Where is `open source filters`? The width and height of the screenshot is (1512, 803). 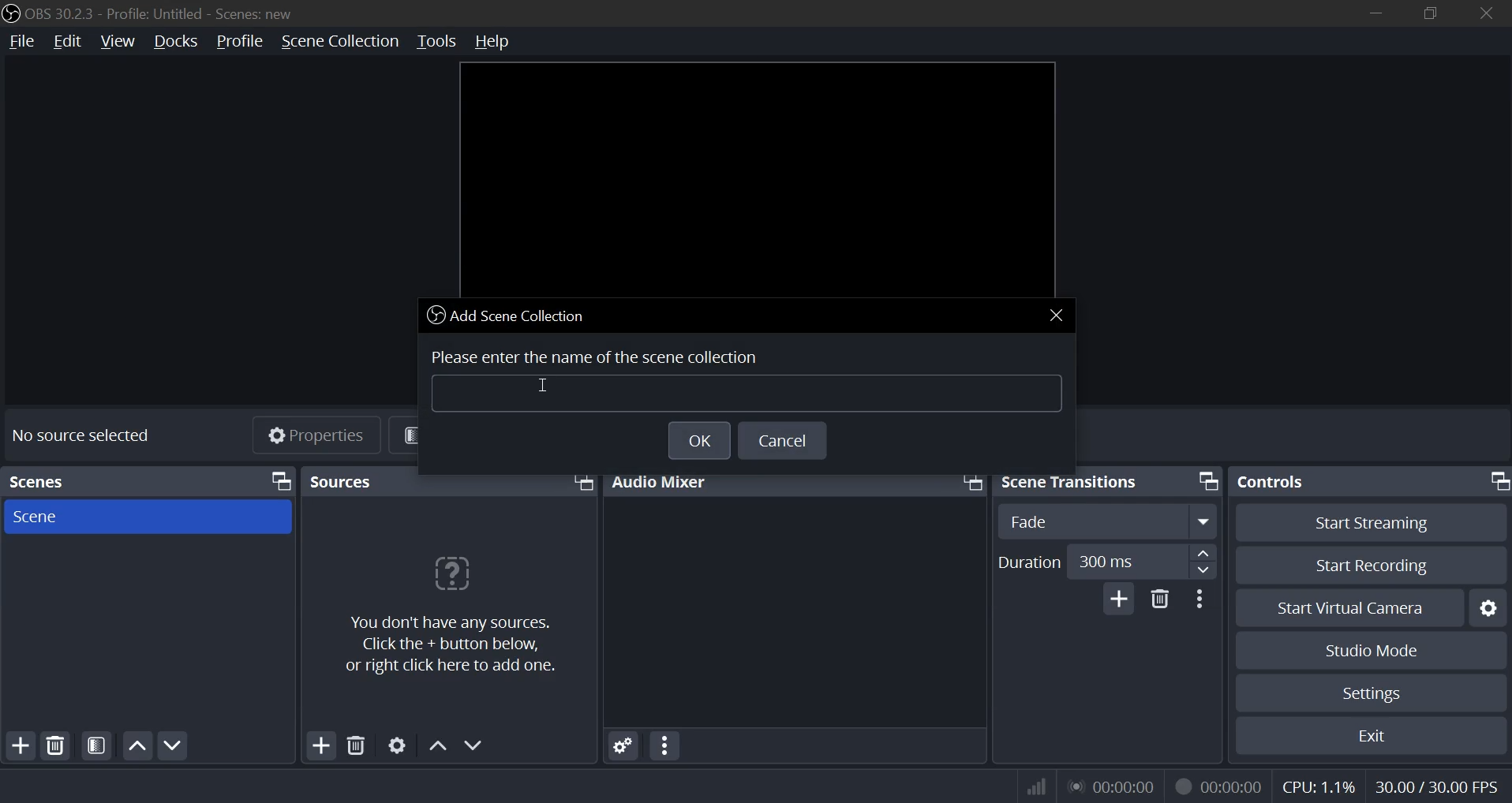 open source filters is located at coordinates (95, 745).